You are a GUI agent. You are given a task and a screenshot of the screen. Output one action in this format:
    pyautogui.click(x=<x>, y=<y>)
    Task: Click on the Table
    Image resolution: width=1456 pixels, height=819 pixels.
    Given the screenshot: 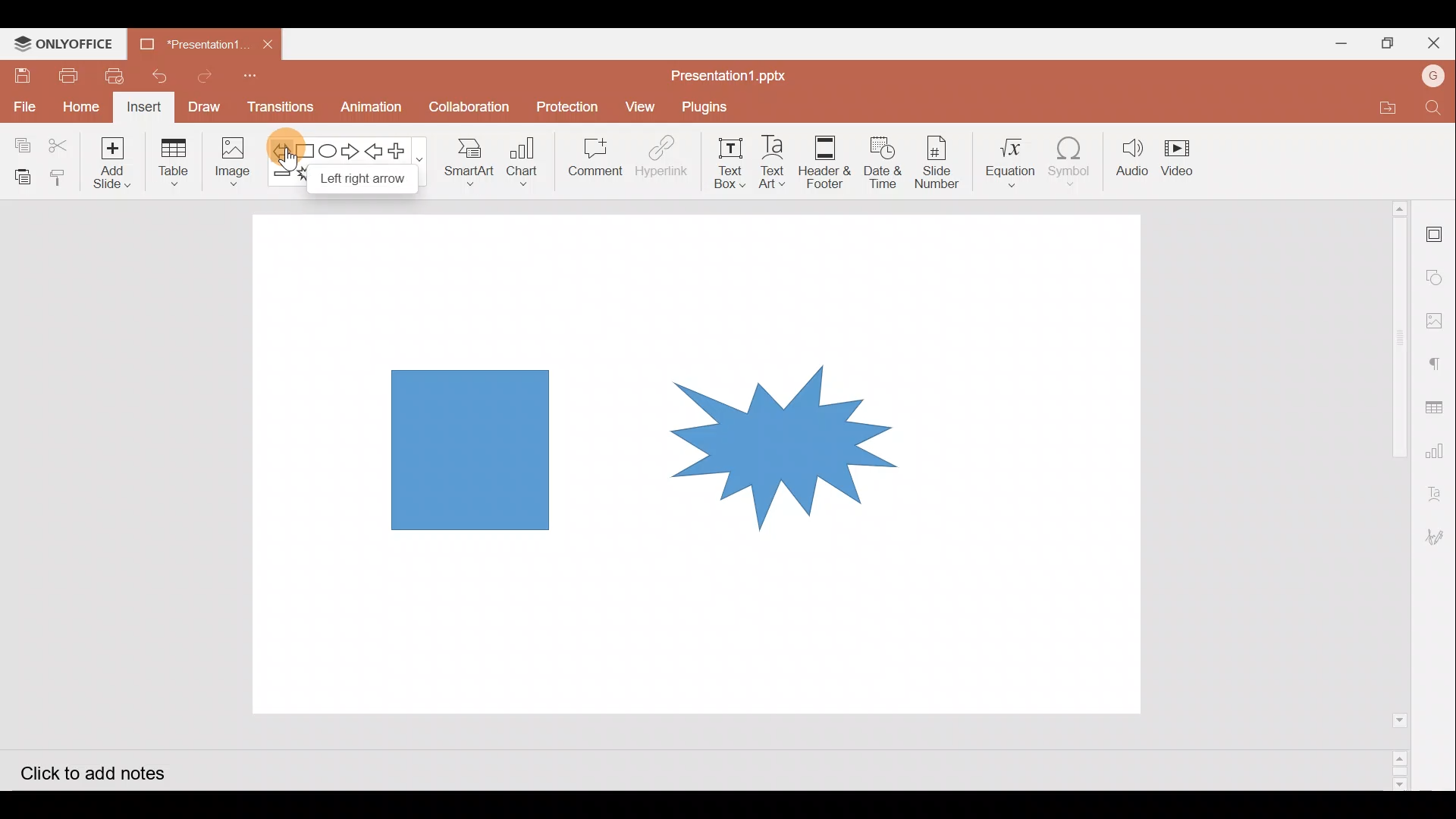 What is the action you would take?
    pyautogui.click(x=172, y=165)
    